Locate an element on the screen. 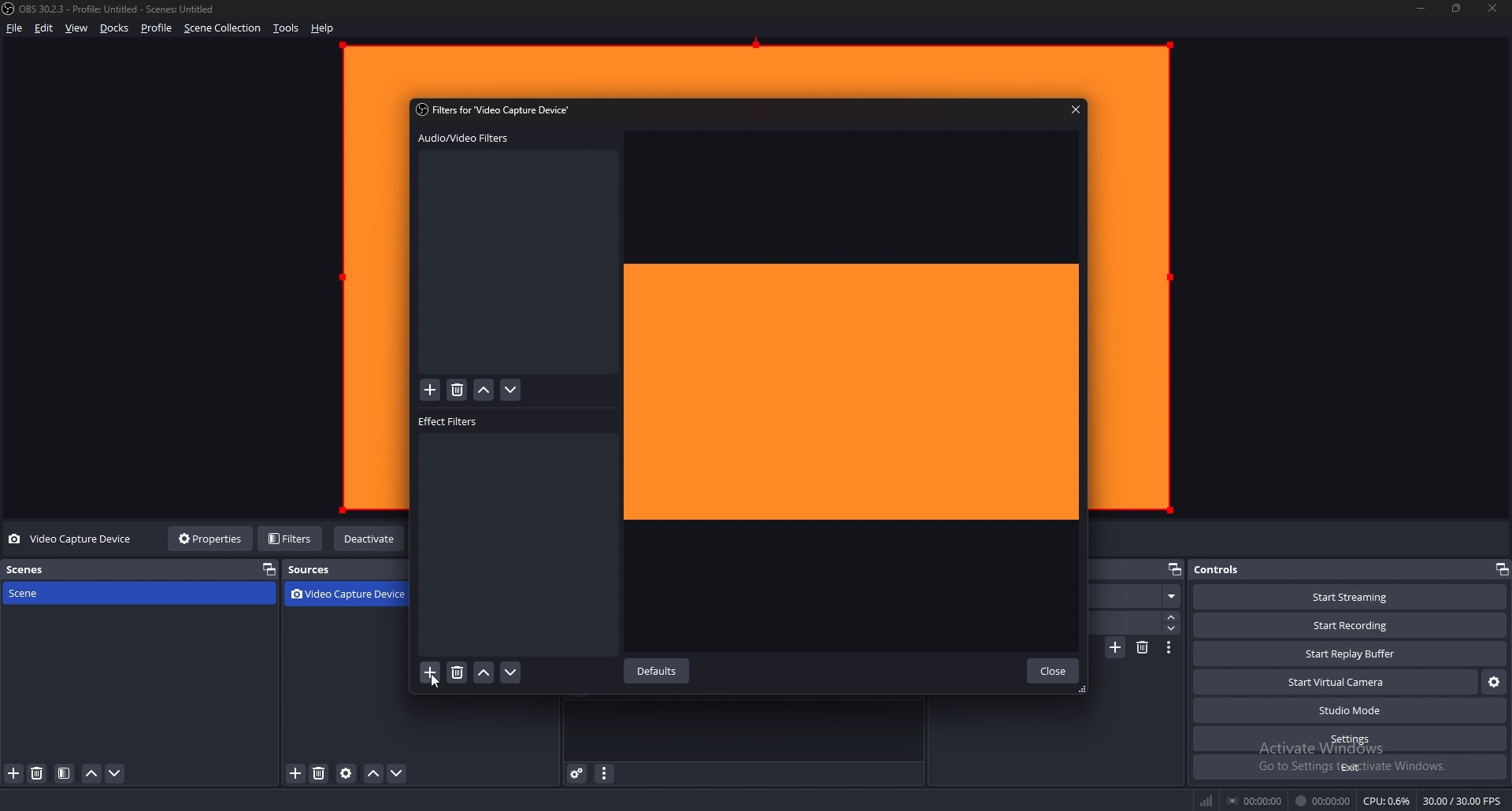  settings is located at coordinates (1350, 739).